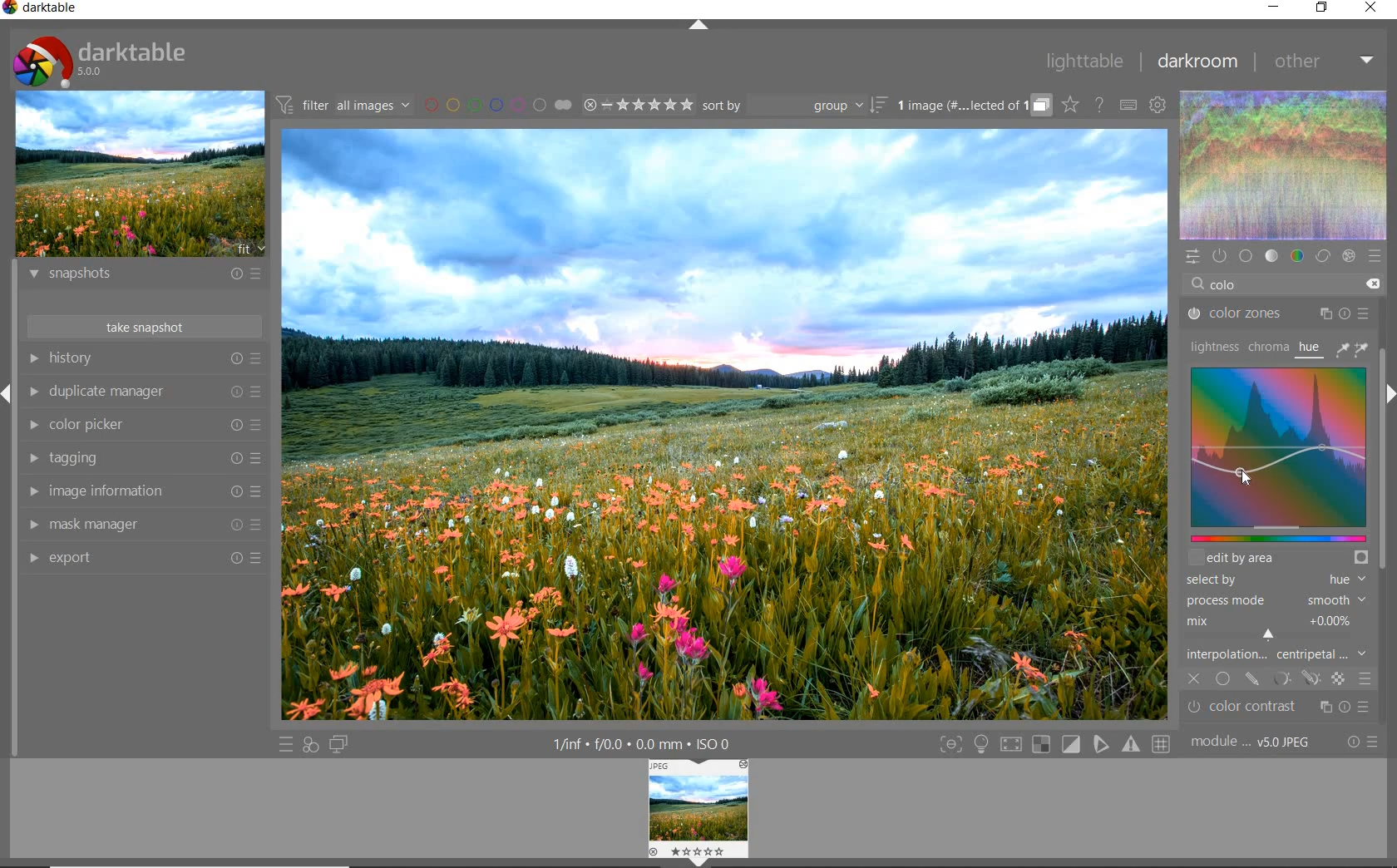 This screenshot has height=868, width=1397. I want to click on off, so click(1195, 677).